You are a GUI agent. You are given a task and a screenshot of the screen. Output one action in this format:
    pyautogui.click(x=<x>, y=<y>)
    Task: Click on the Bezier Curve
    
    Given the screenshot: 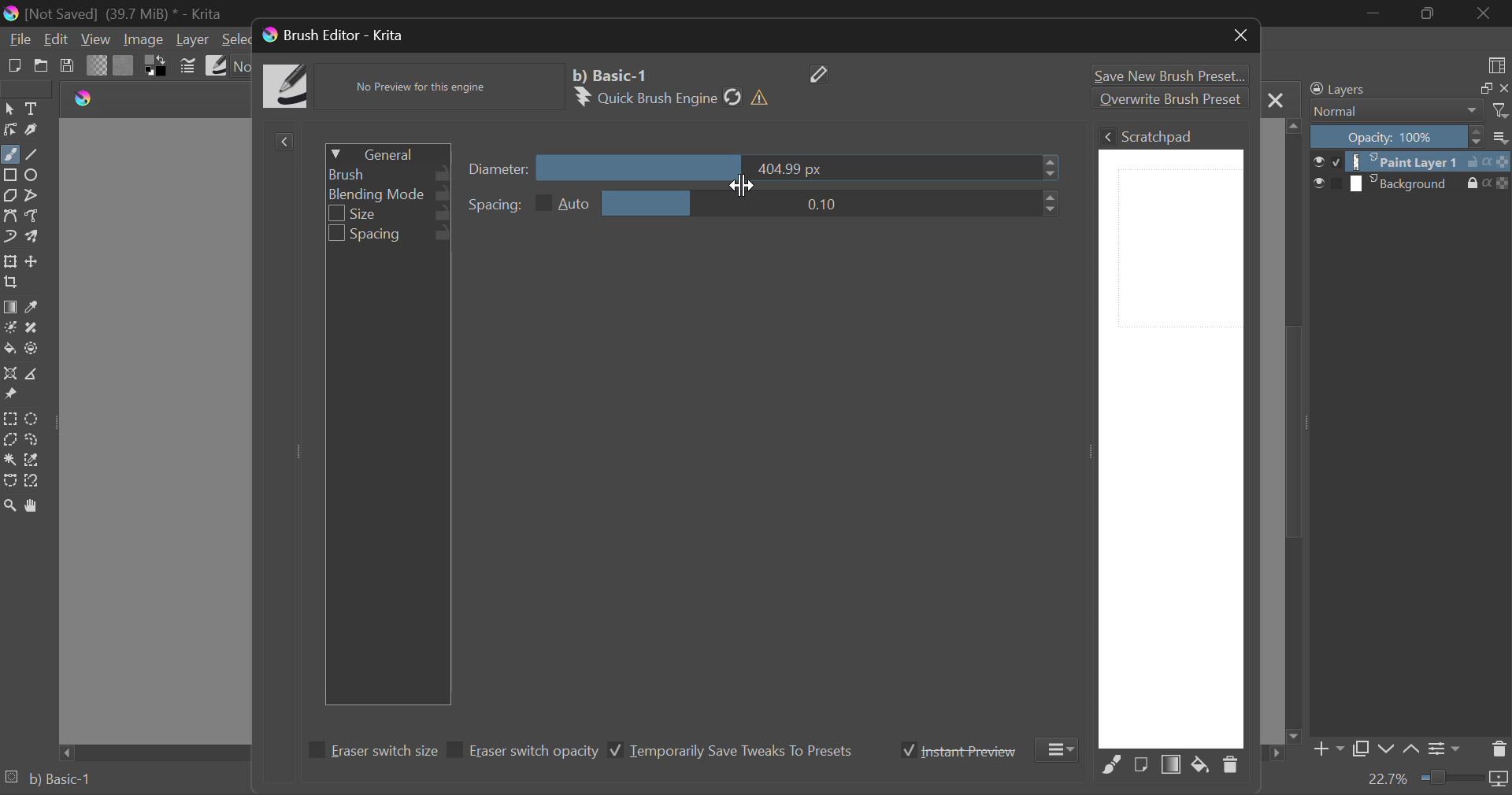 What is the action you would take?
    pyautogui.click(x=13, y=216)
    